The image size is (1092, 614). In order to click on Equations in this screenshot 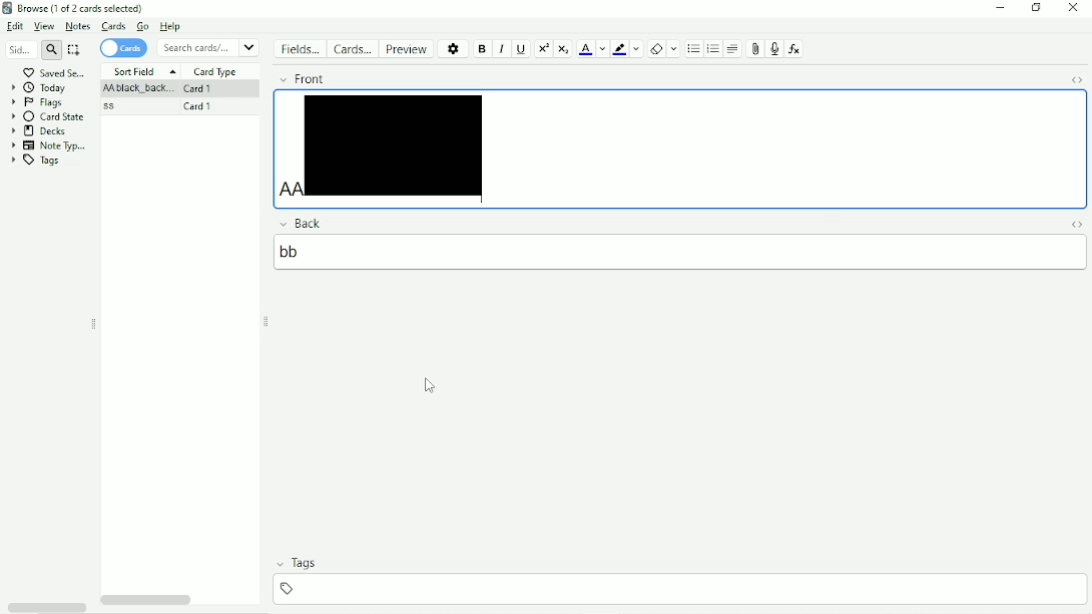, I will do `click(794, 48)`.